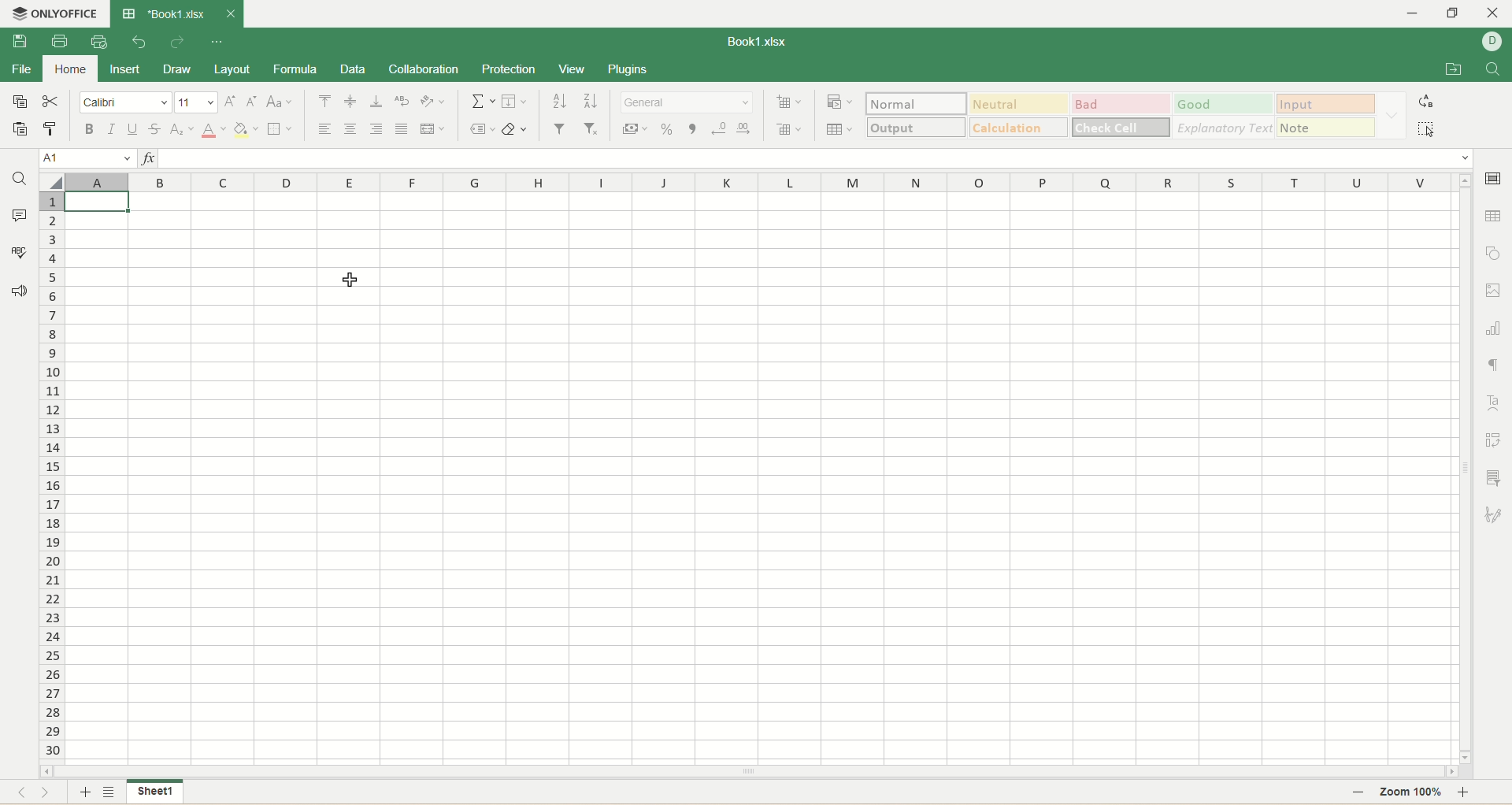  I want to click on file, so click(22, 70).